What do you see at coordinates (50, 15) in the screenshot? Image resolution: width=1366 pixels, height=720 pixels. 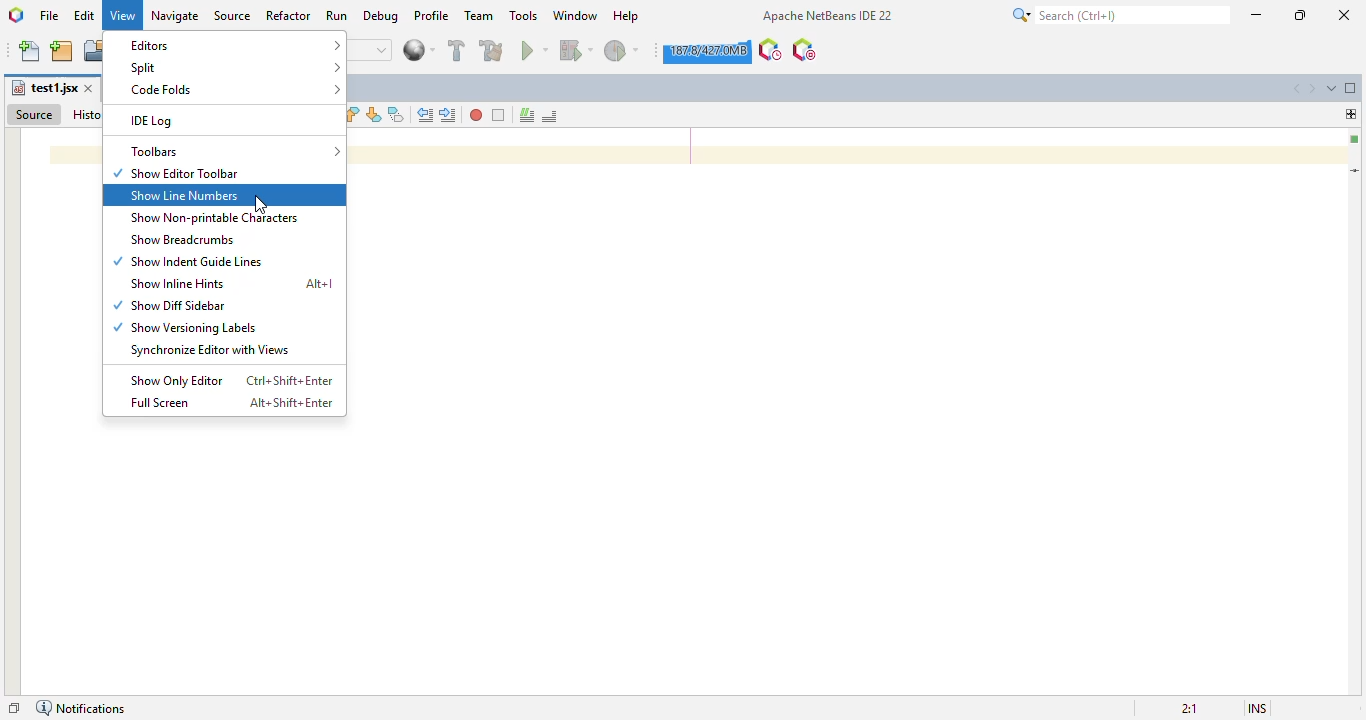 I see `file` at bounding box center [50, 15].